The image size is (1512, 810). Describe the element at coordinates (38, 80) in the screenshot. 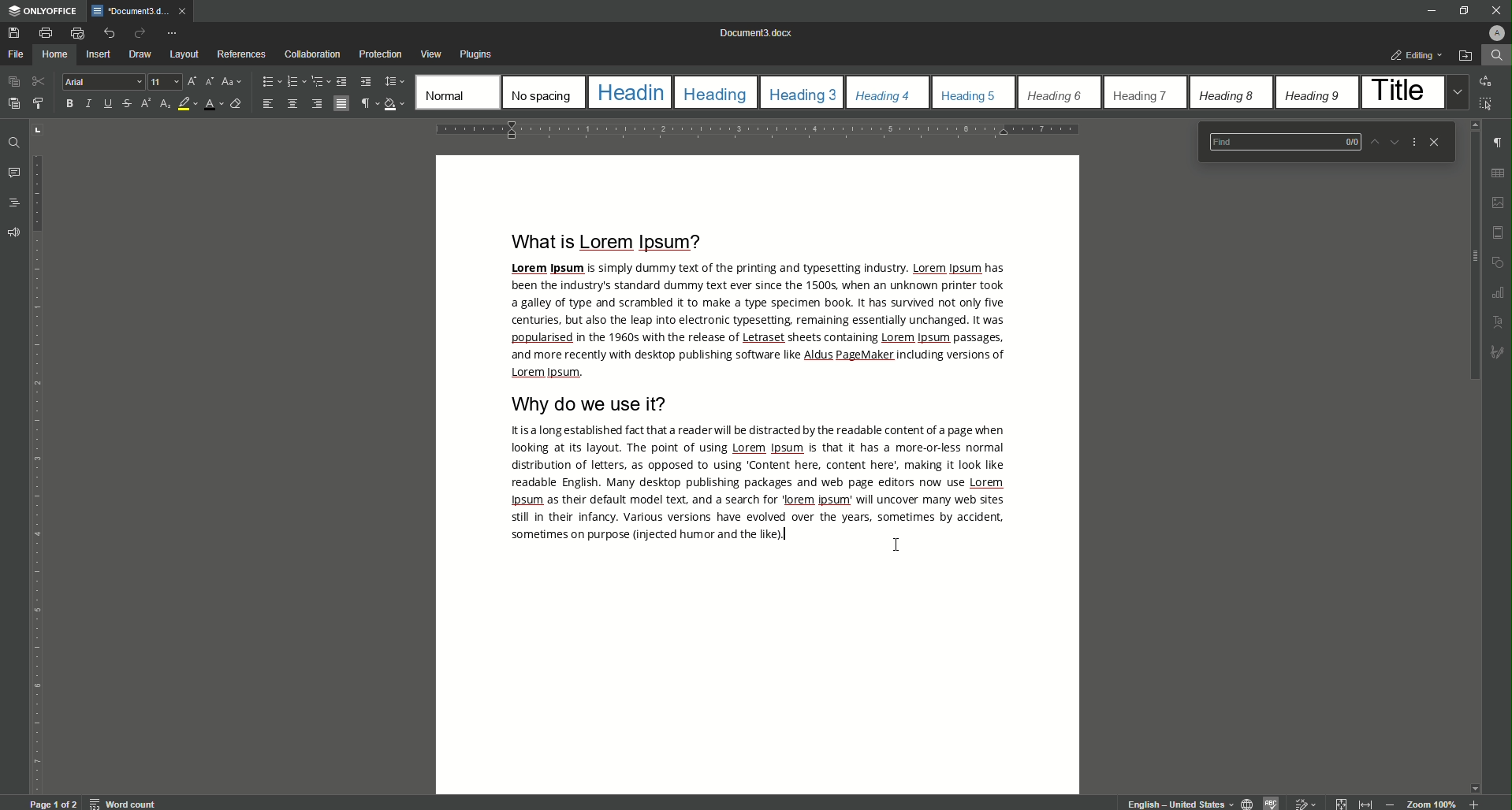

I see `Cut` at that location.